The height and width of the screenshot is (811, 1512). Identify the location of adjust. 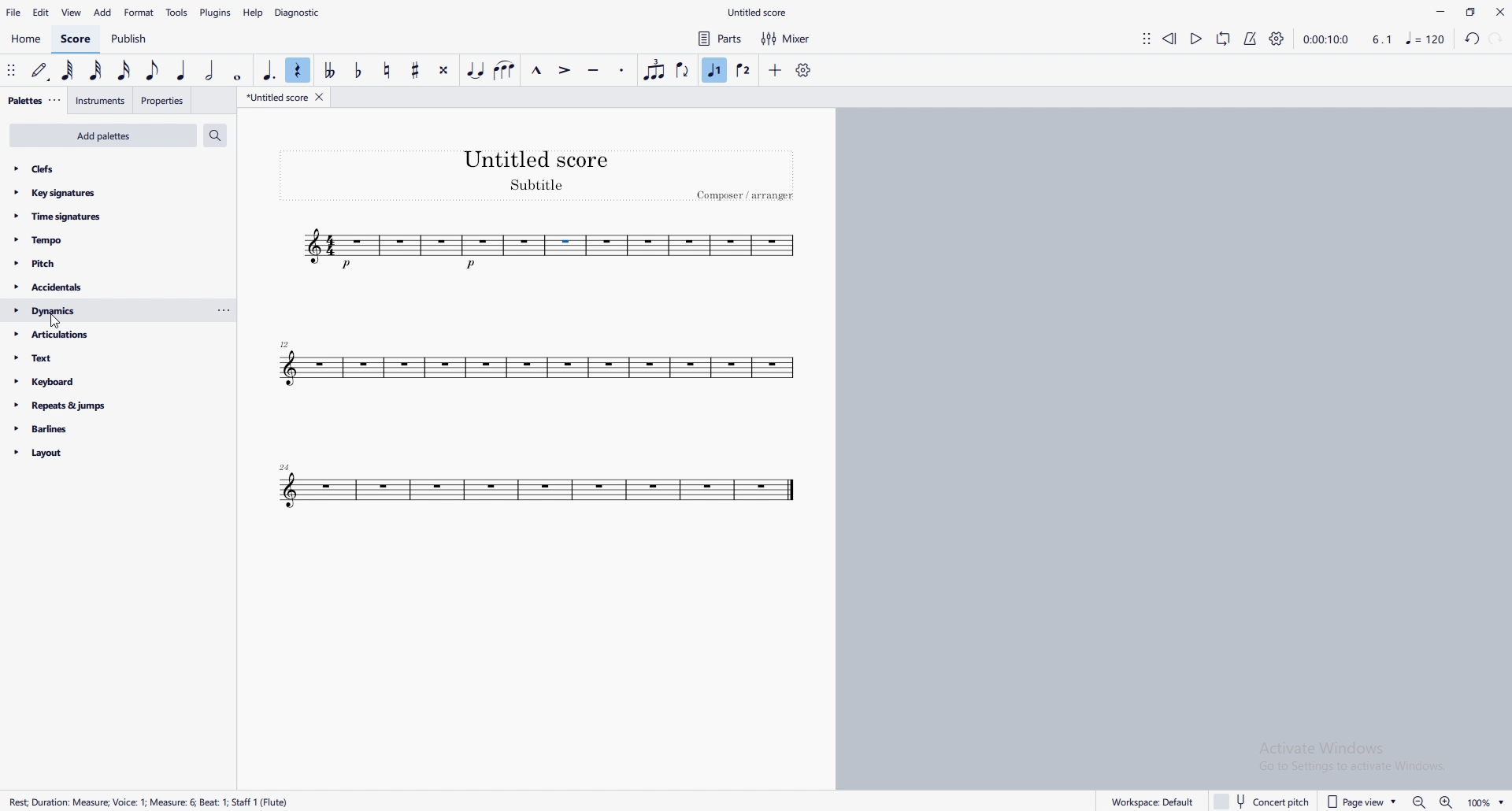
(13, 71).